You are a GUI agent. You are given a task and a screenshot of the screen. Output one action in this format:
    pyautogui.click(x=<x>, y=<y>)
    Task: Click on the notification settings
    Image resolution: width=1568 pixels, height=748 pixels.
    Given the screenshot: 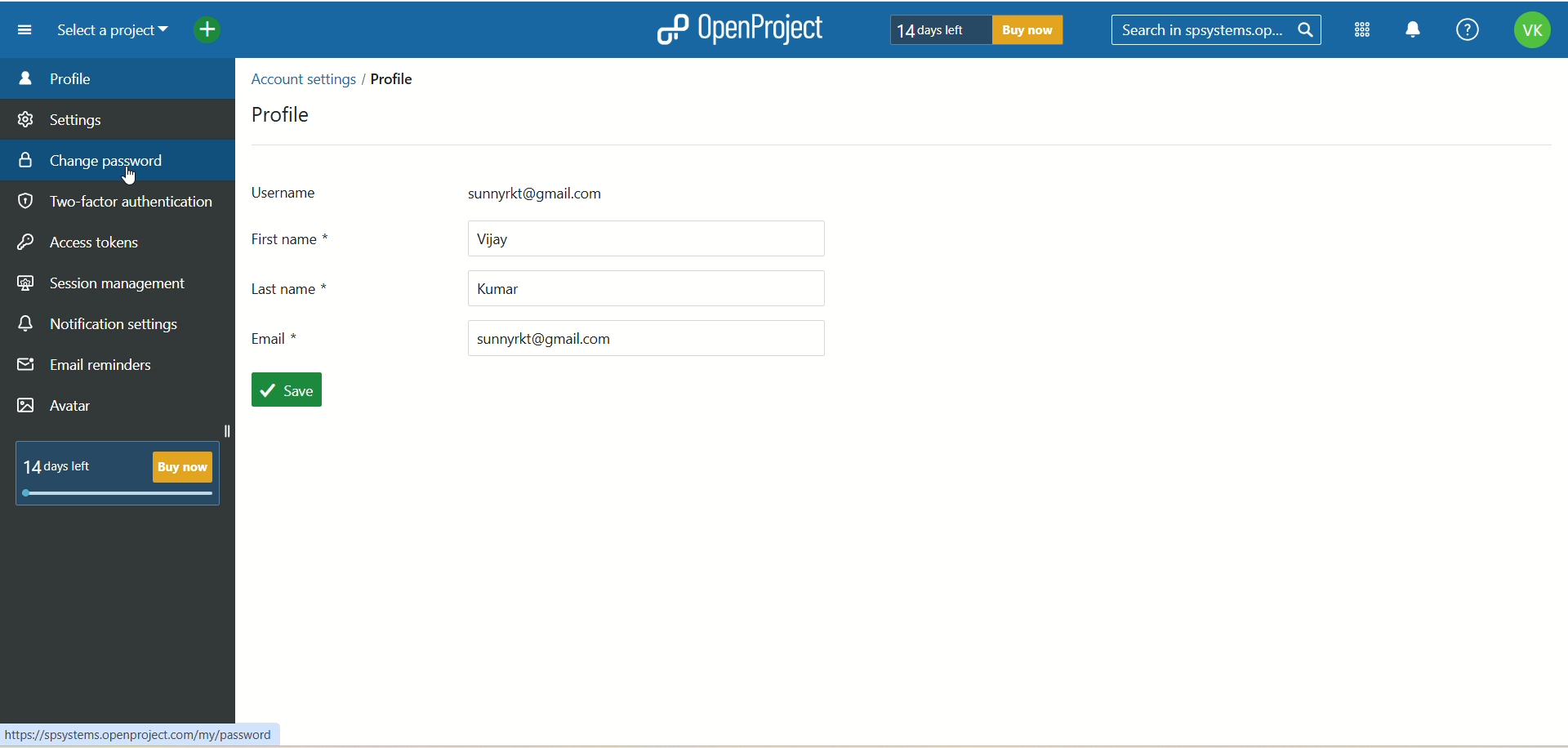 What is the action you would take?
    pyautogui.click(x=101, y=322)
    